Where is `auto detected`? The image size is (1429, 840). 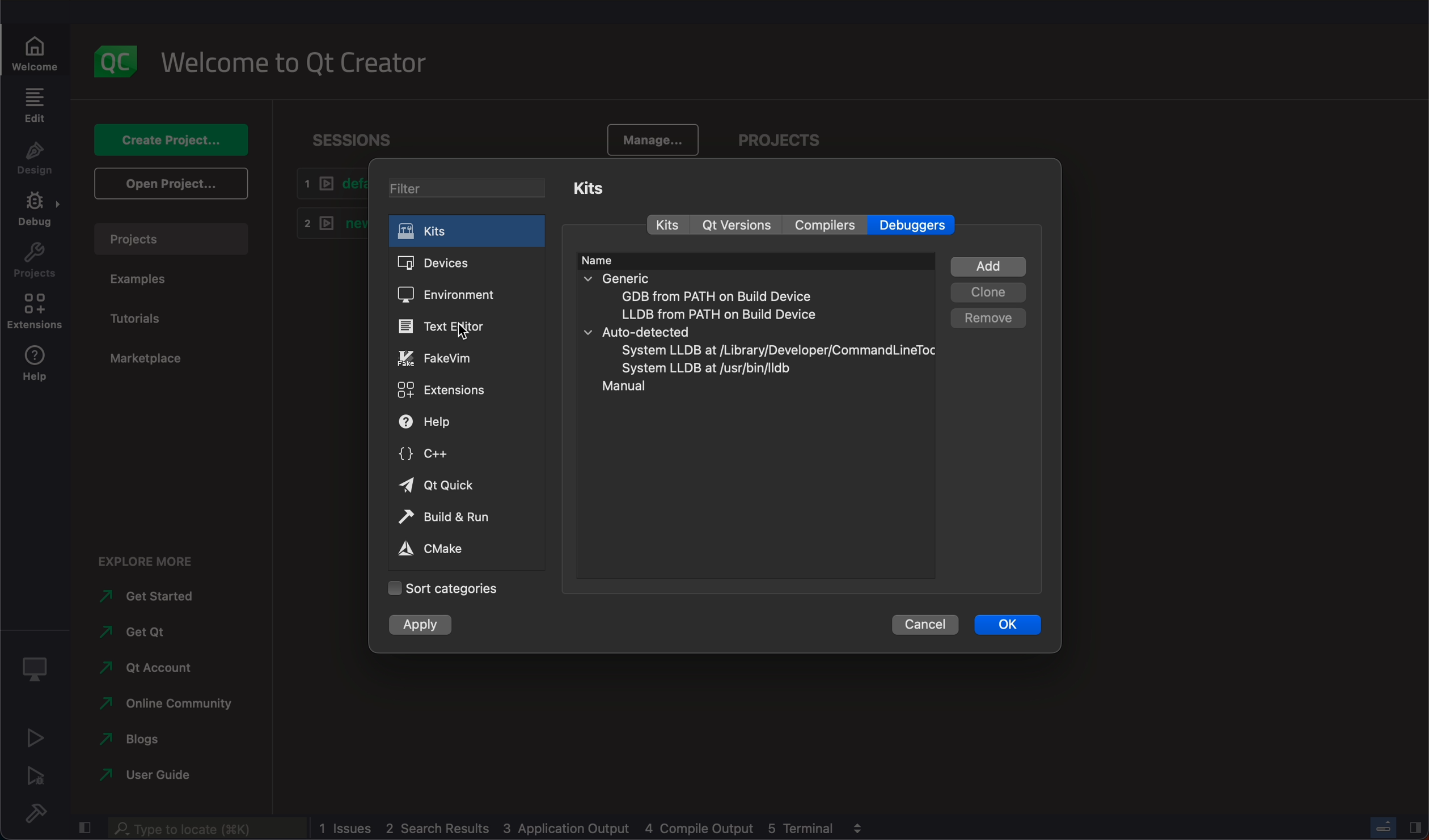
auto detected is located at coordinates (759, 332).